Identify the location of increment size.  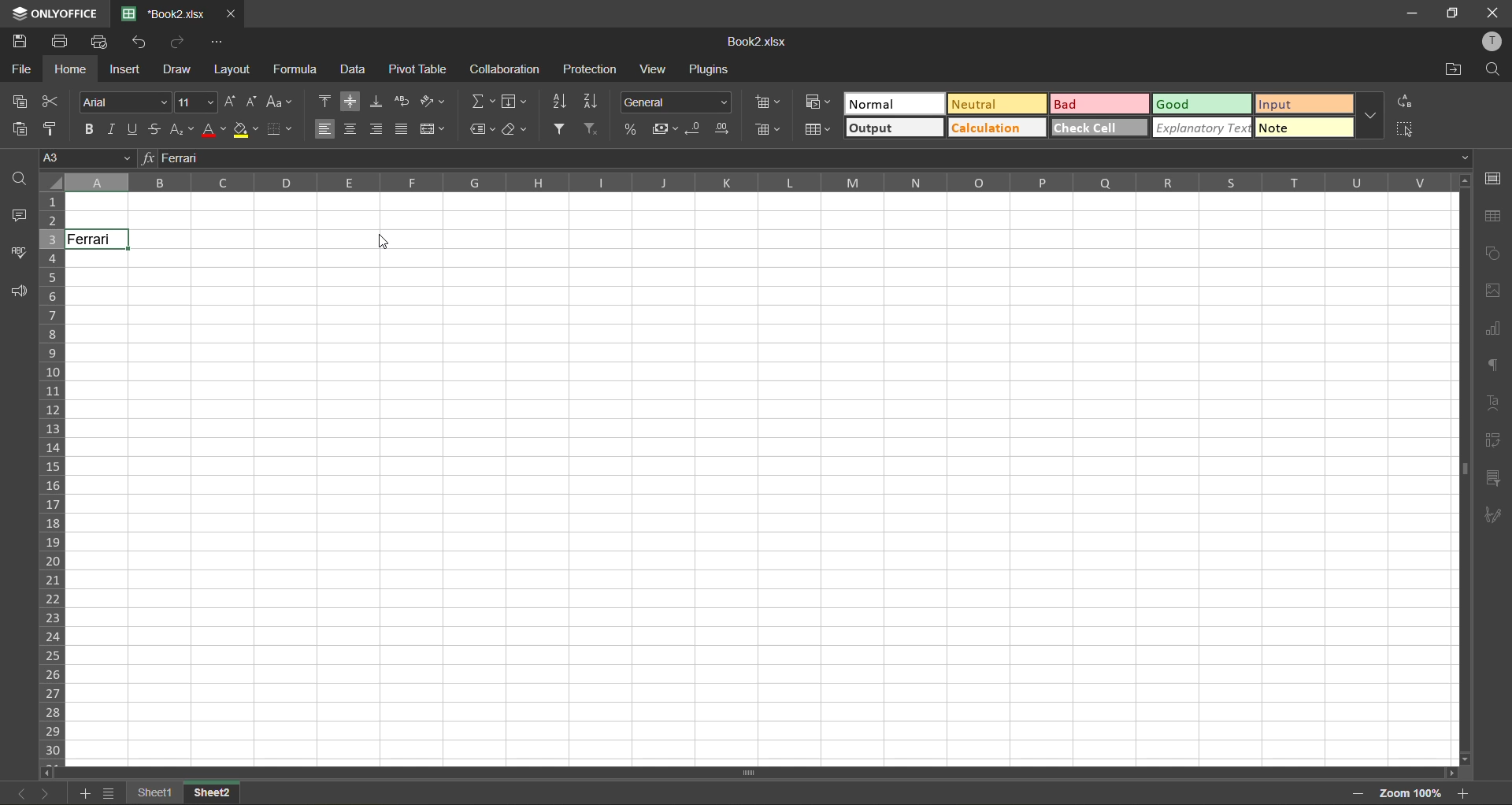
(232, 103).